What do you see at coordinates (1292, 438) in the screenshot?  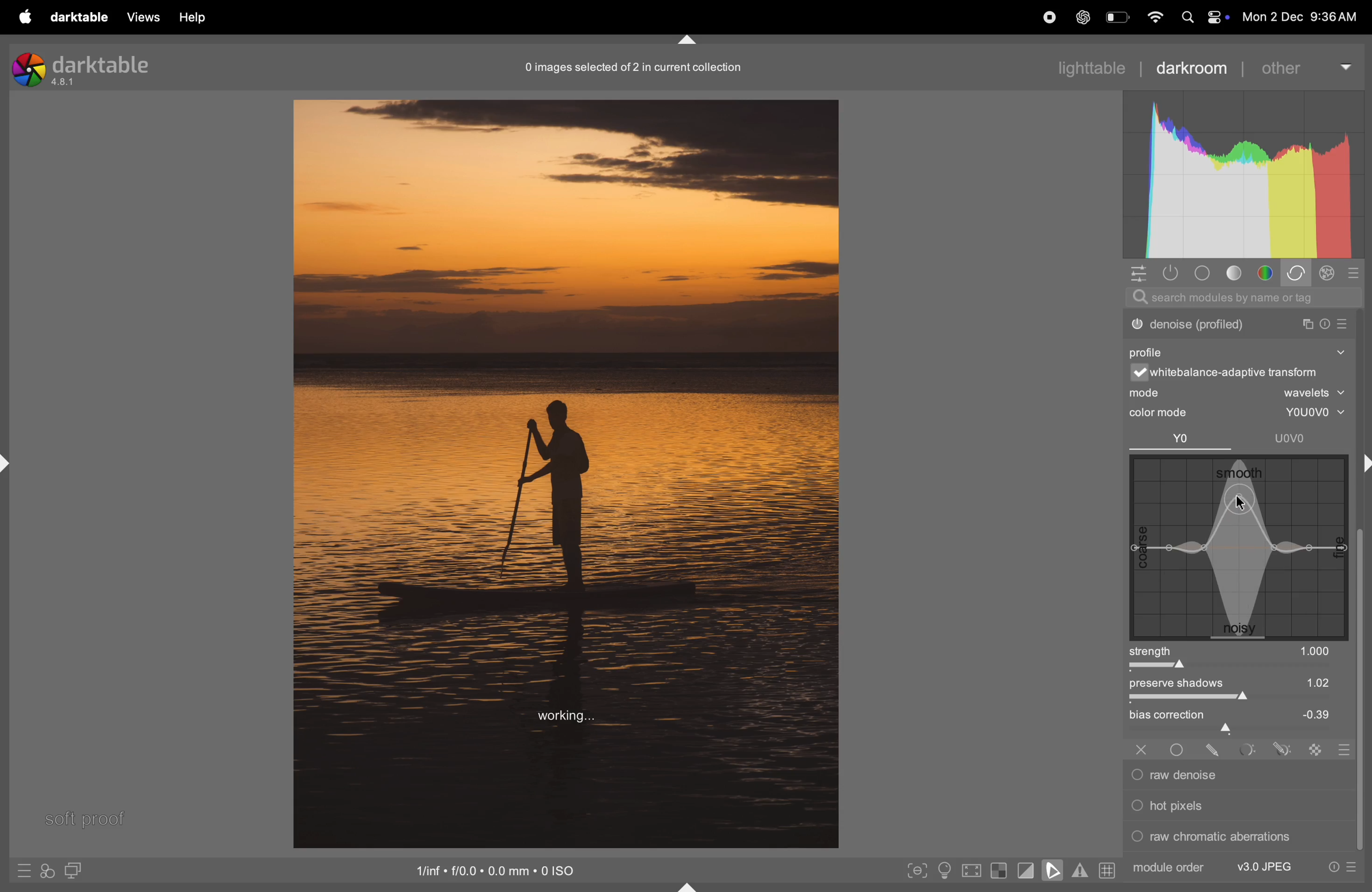 I see `UOvo` at bounding box center [1292, 438].